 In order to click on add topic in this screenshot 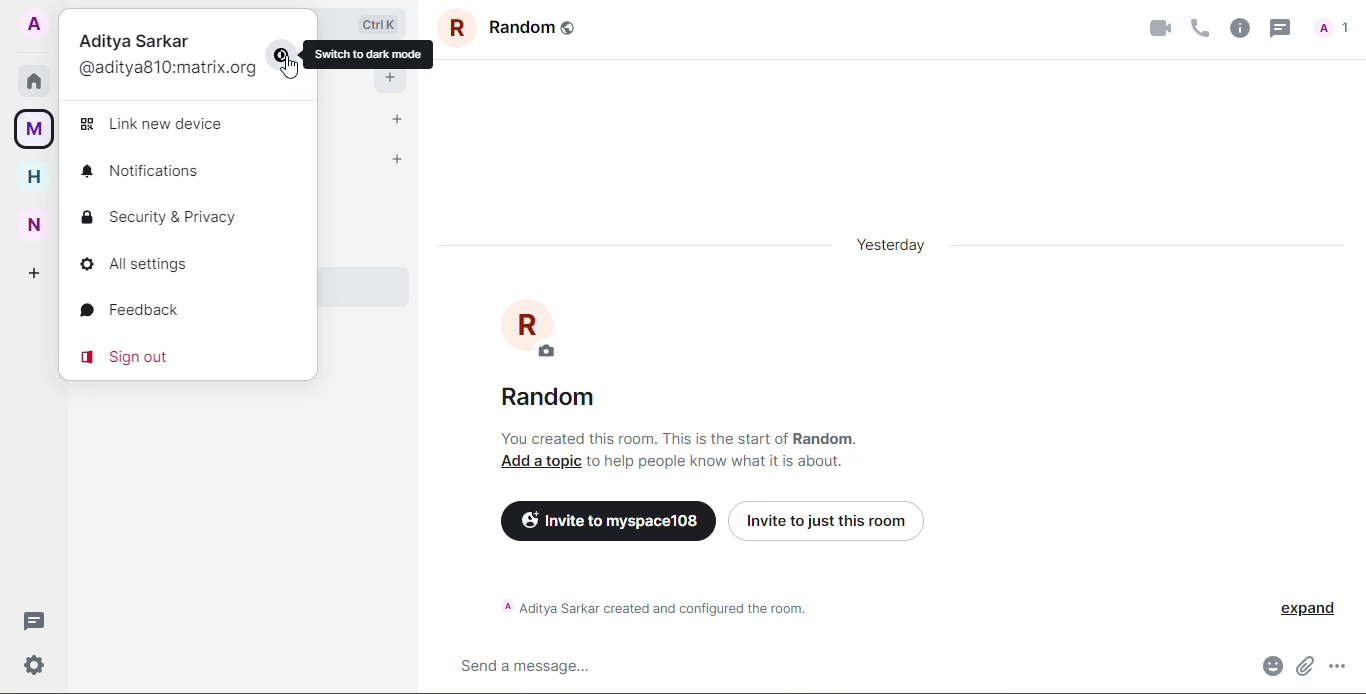, I will do `click(540, 462)`.